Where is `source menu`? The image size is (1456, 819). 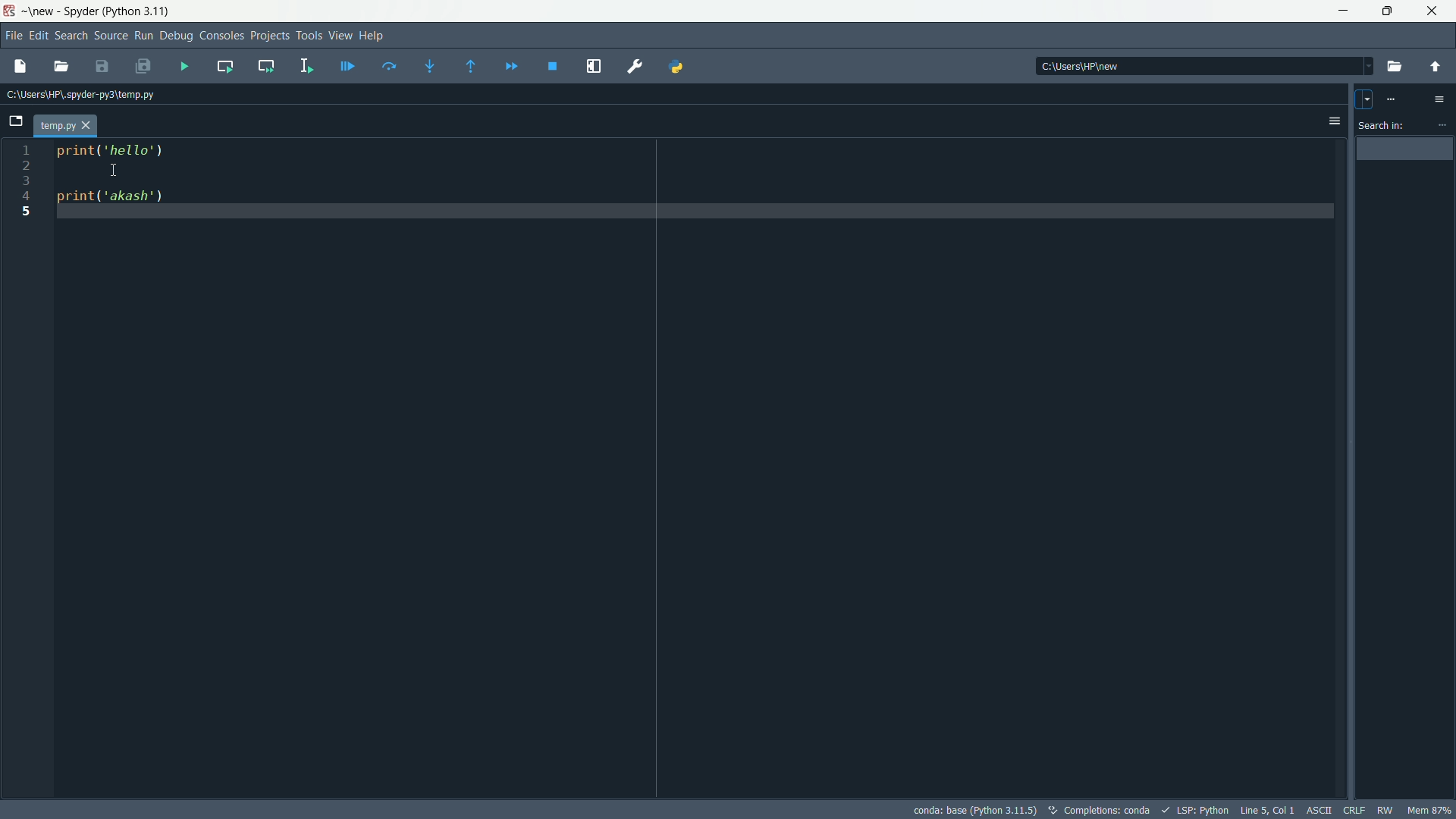 source menu is located at coordinates (108, 36).